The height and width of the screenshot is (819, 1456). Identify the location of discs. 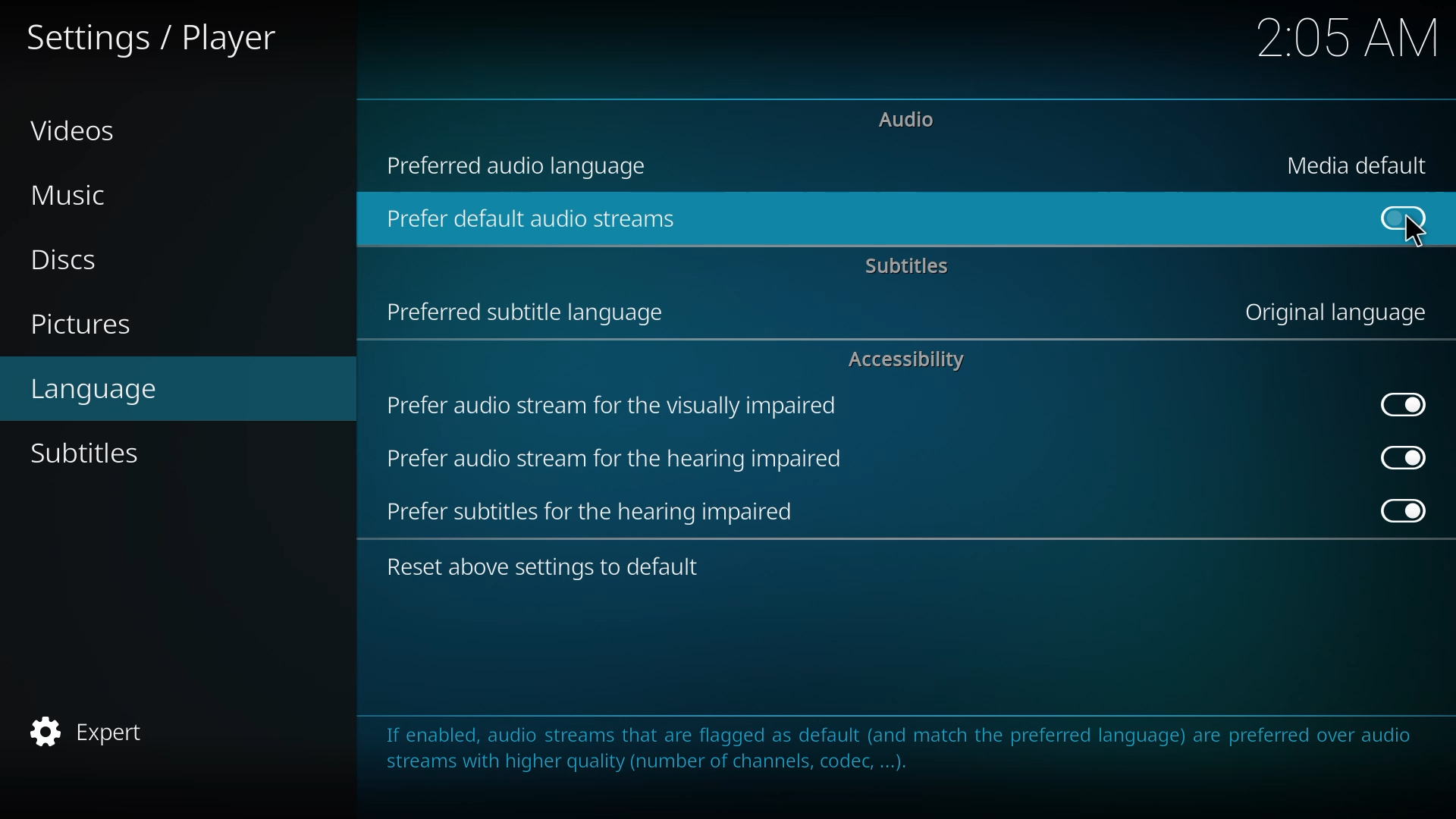
(64, 260).